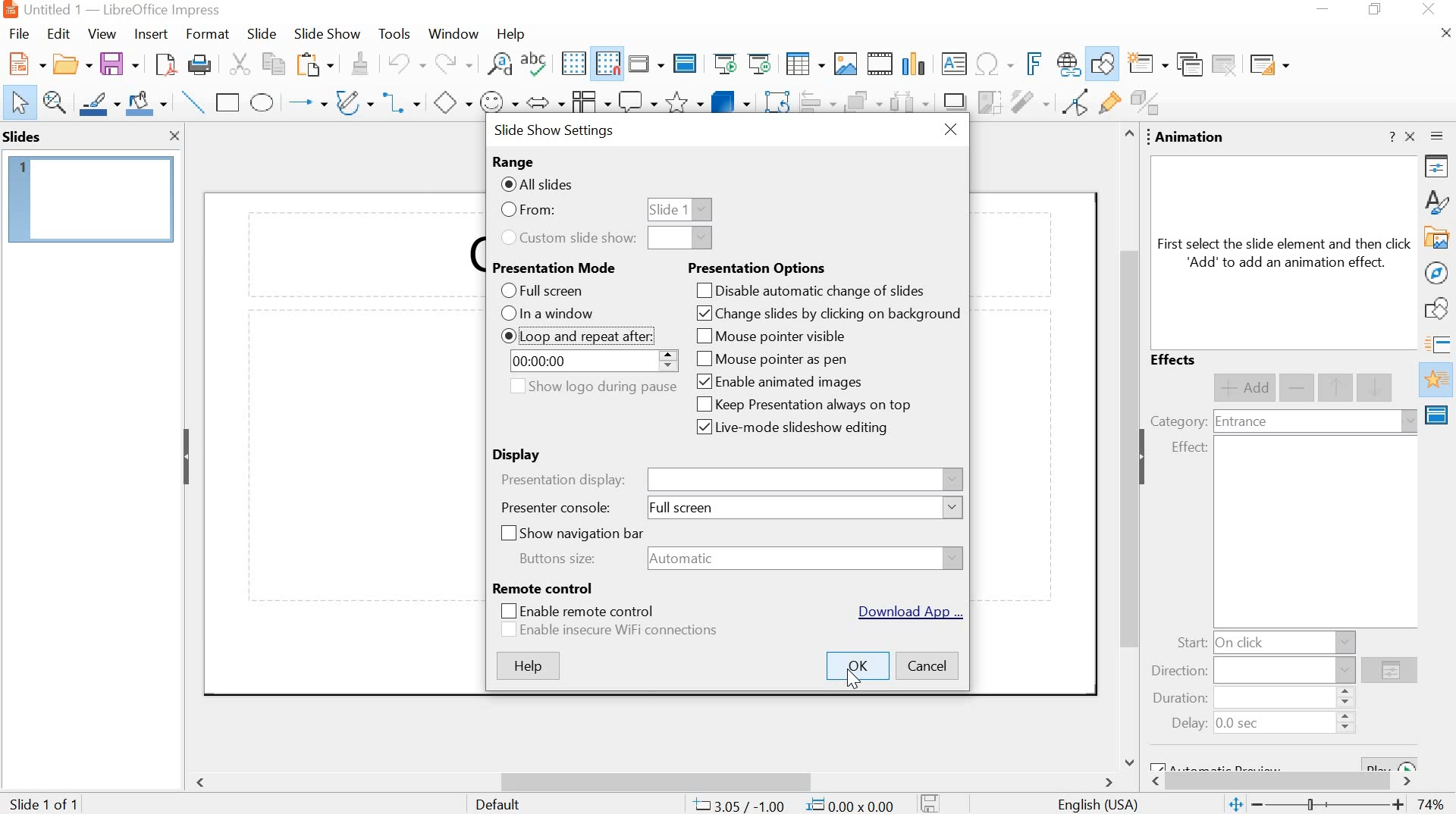 The width and height of the screenshot is (1456, 814). Describe the element at coordinates (499, 67) in the screenshot. I see `find` at that location.